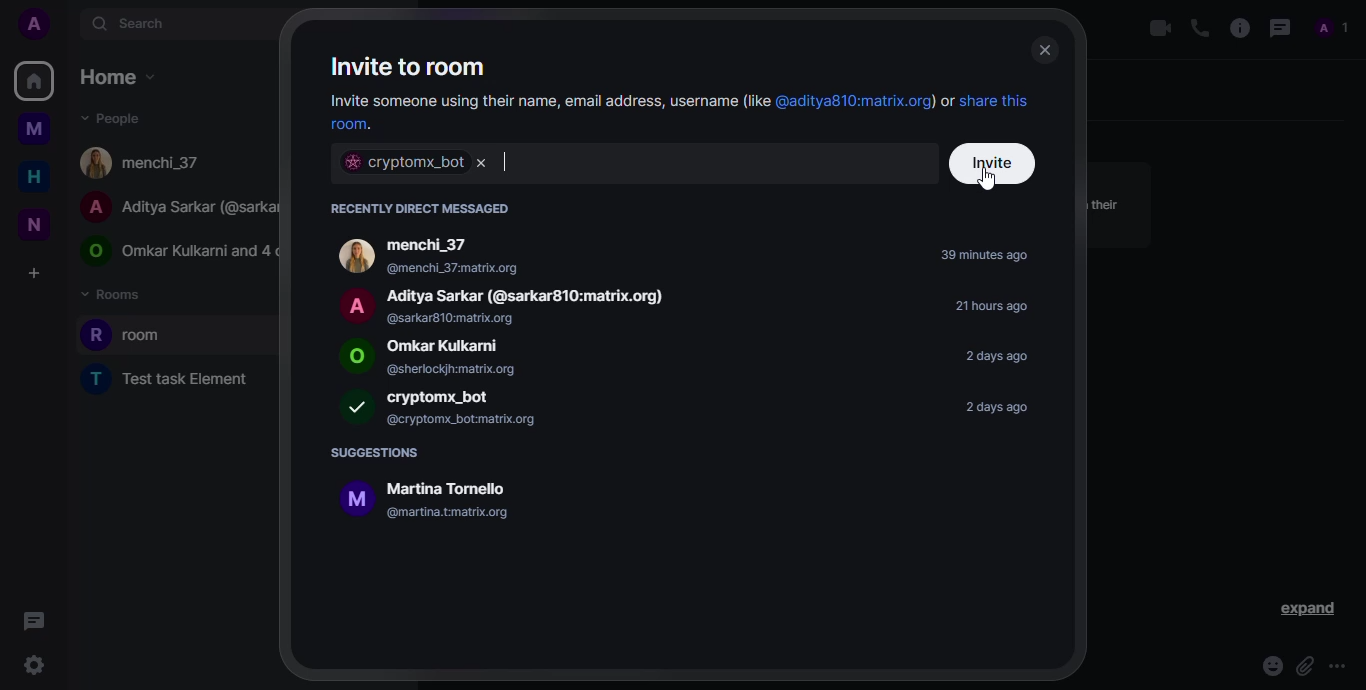 This screenshot has height=690, width=1366. I want to click on people, so click(122, 118).